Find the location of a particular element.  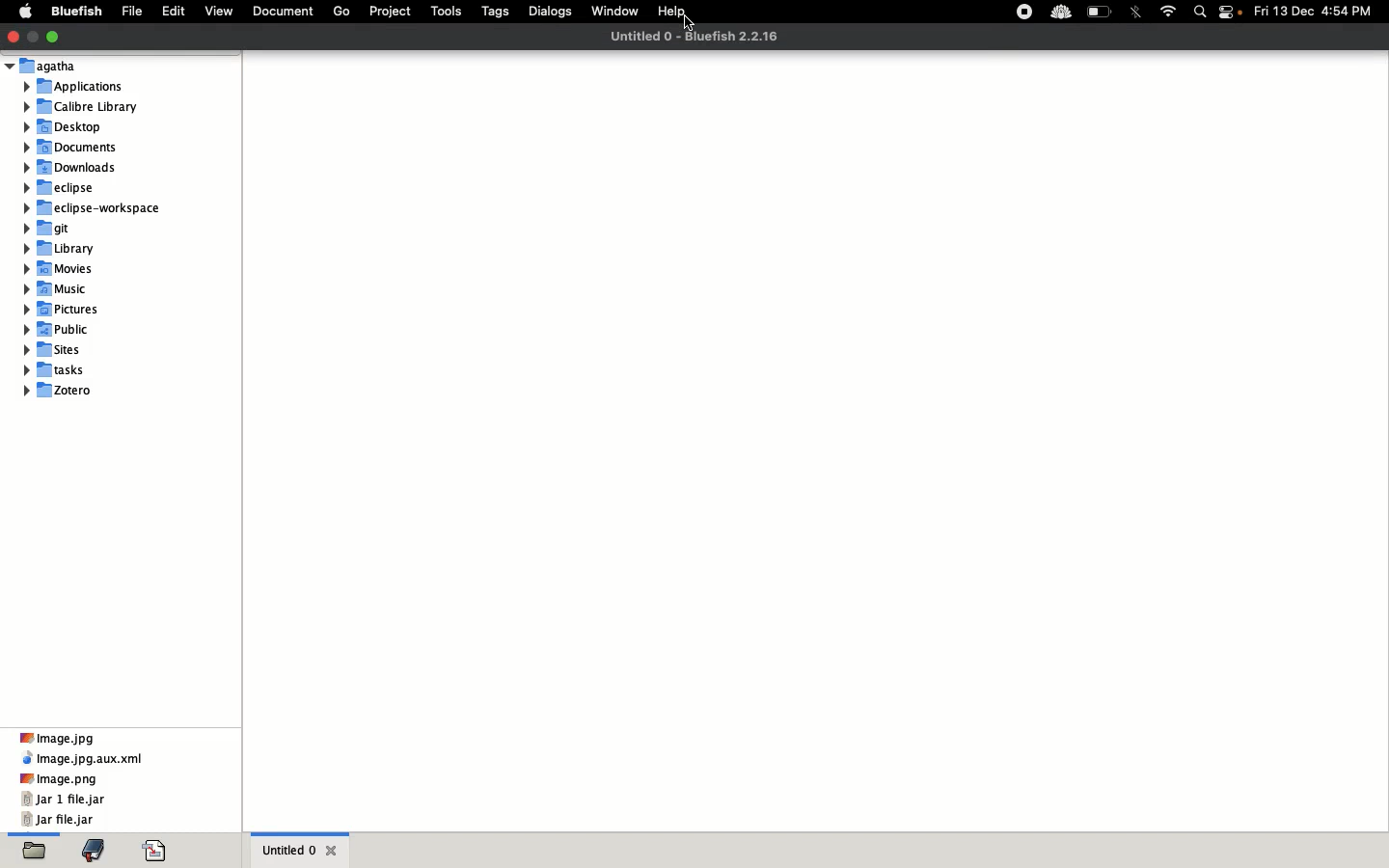

Image, jpg file is located at coordinates (55, 737).